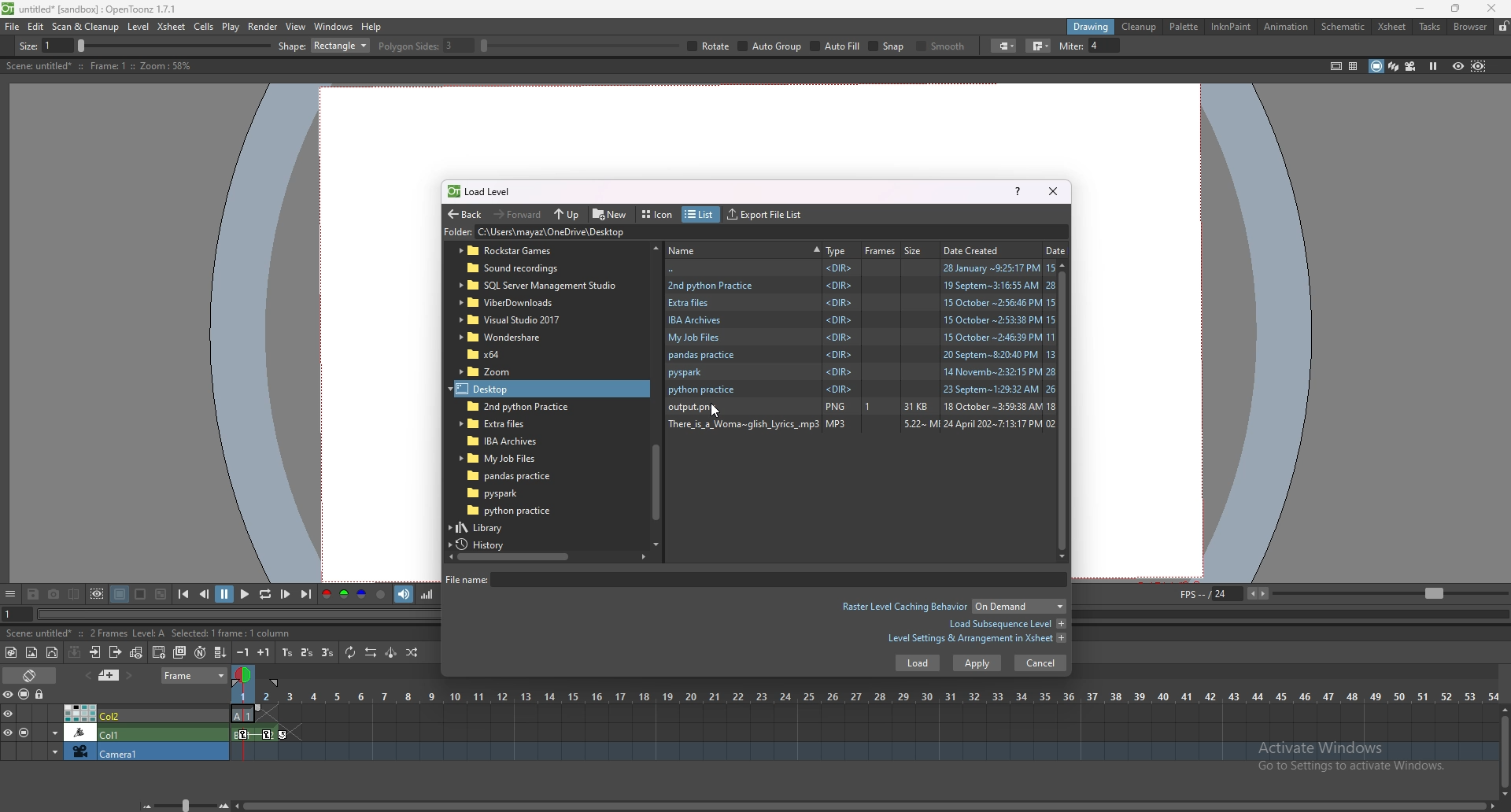 Image resolution: width=1511 pixels, height=812 pixels. I want to click on add drawing, so click(160, 651).